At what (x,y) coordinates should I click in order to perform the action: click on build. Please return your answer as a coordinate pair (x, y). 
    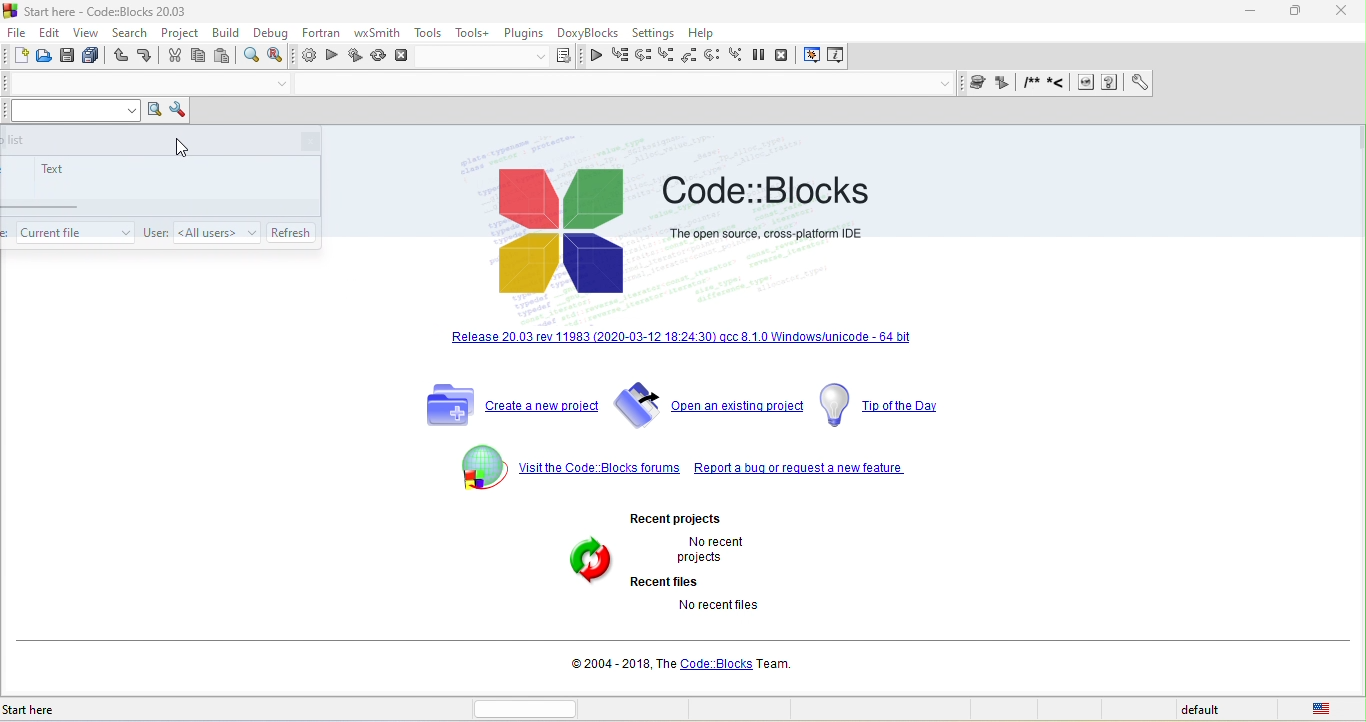
    Looking at the image, I should click on (228, 35).